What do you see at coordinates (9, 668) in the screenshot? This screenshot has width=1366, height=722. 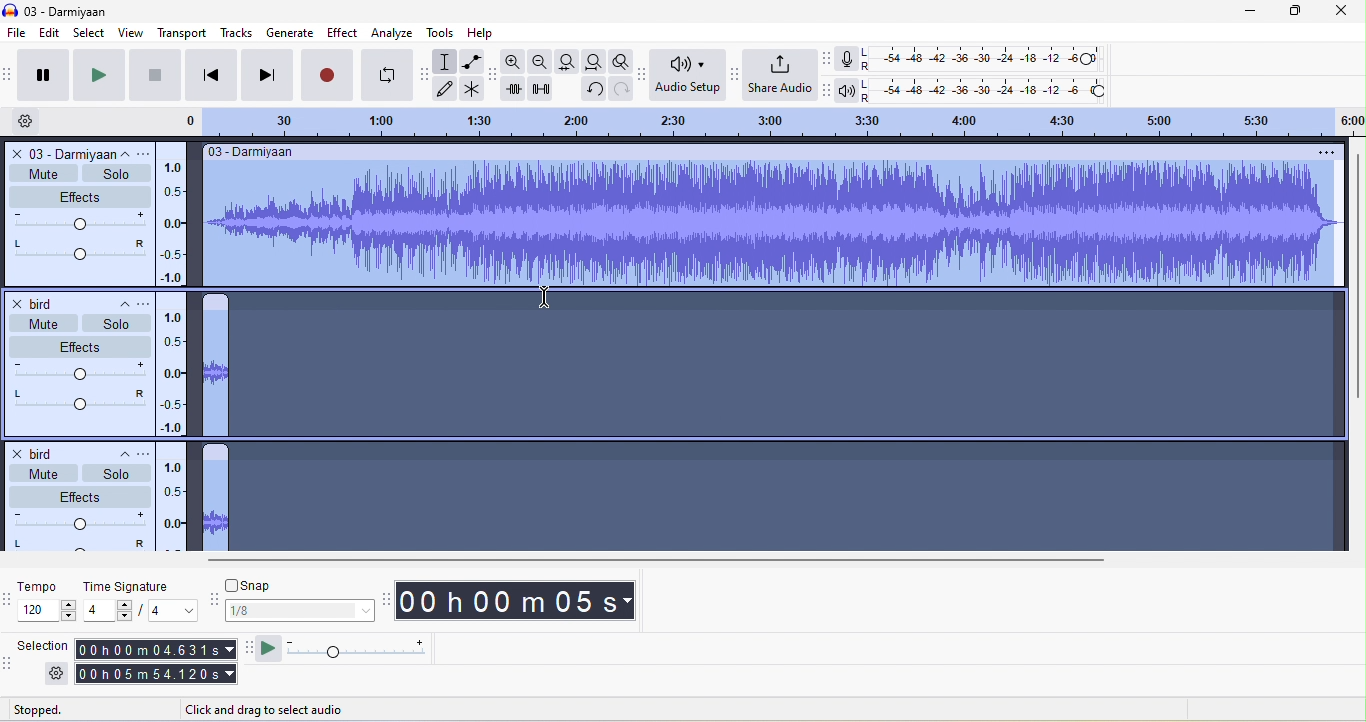 I see `audacity selection toolbar` at bounding box center [9, 668].